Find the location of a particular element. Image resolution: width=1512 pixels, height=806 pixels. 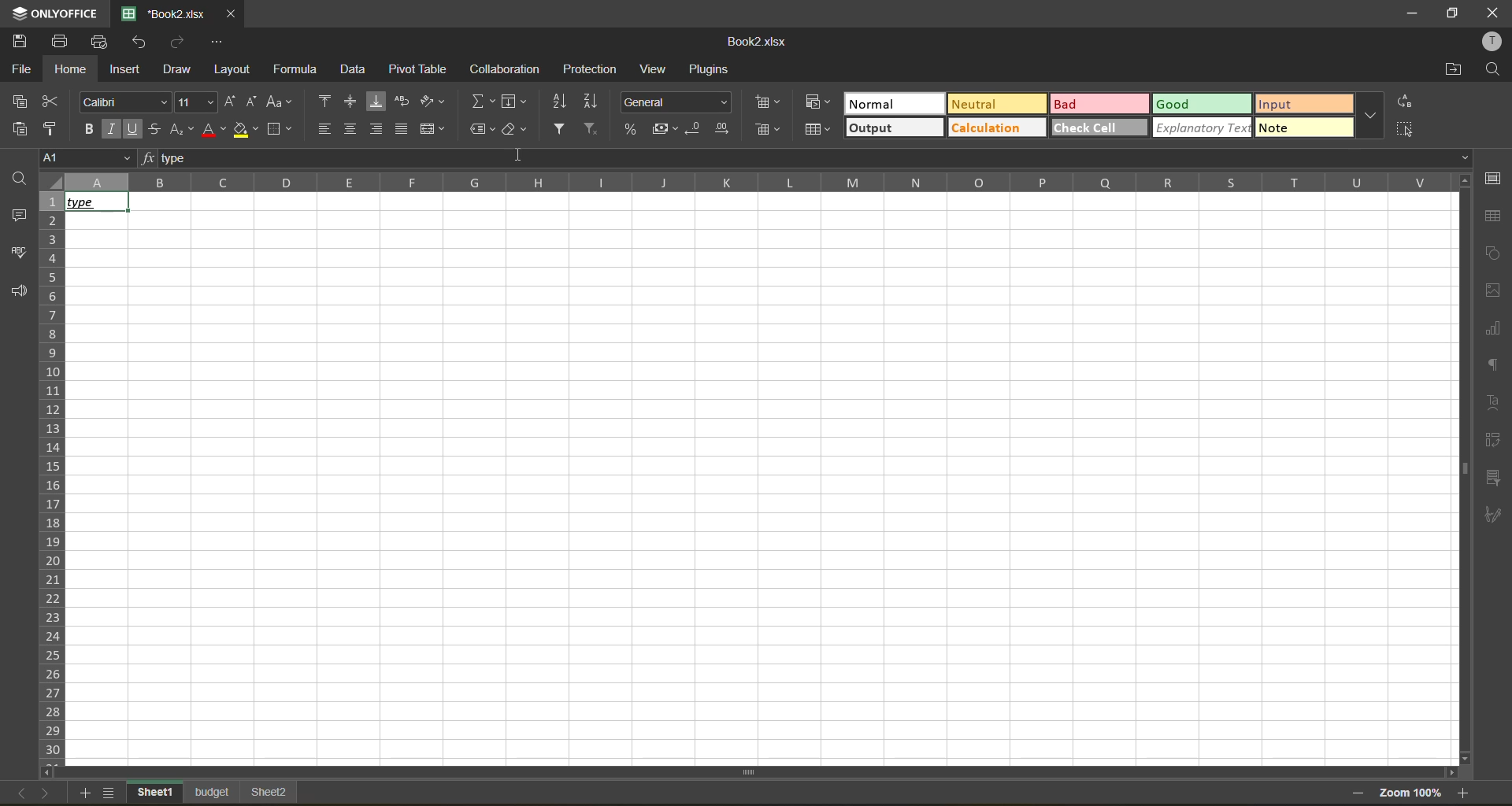

formula is located at coordinates (302, 70).